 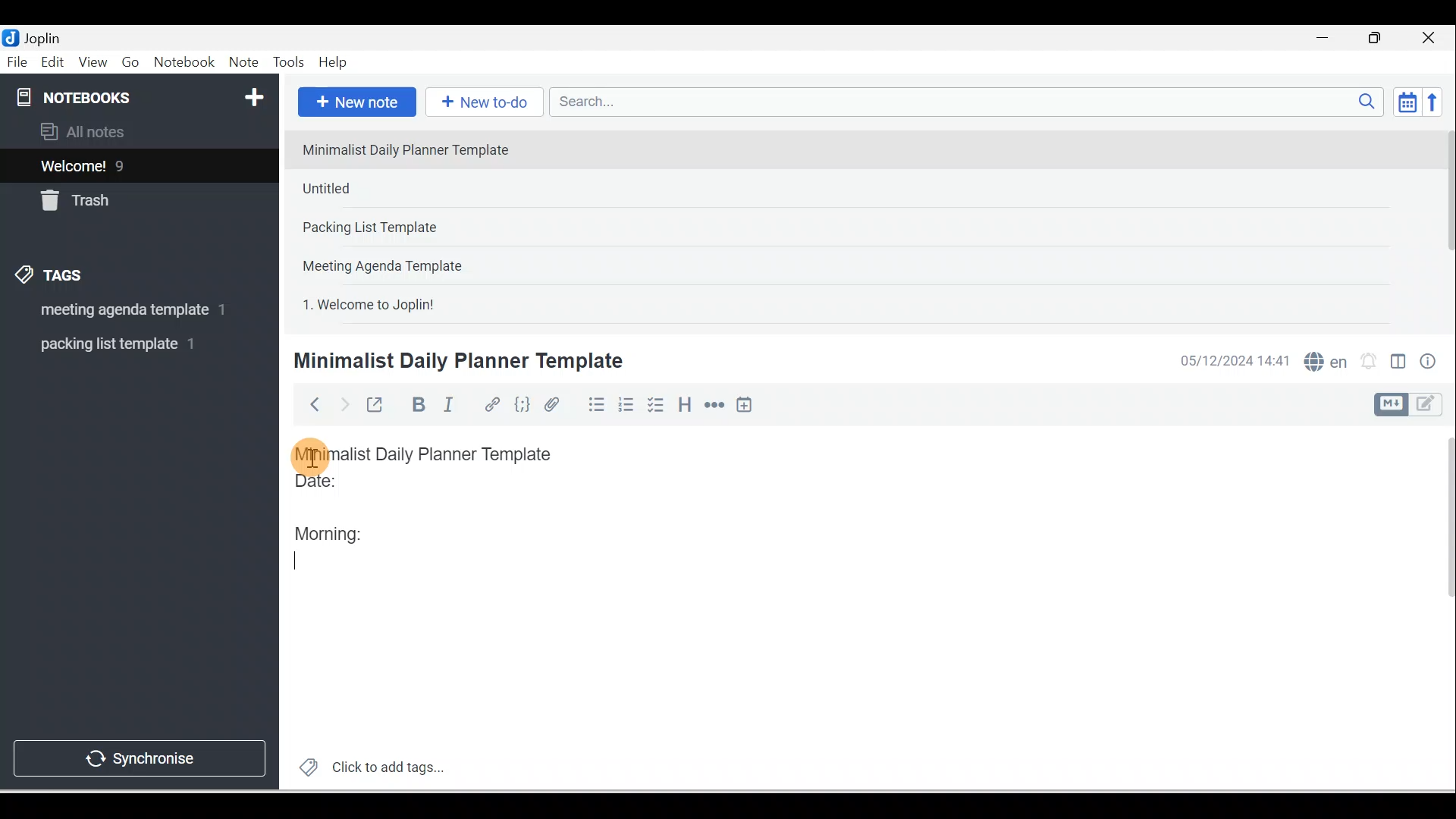 I want to click on Tag 1, so click(x=119, y=311).